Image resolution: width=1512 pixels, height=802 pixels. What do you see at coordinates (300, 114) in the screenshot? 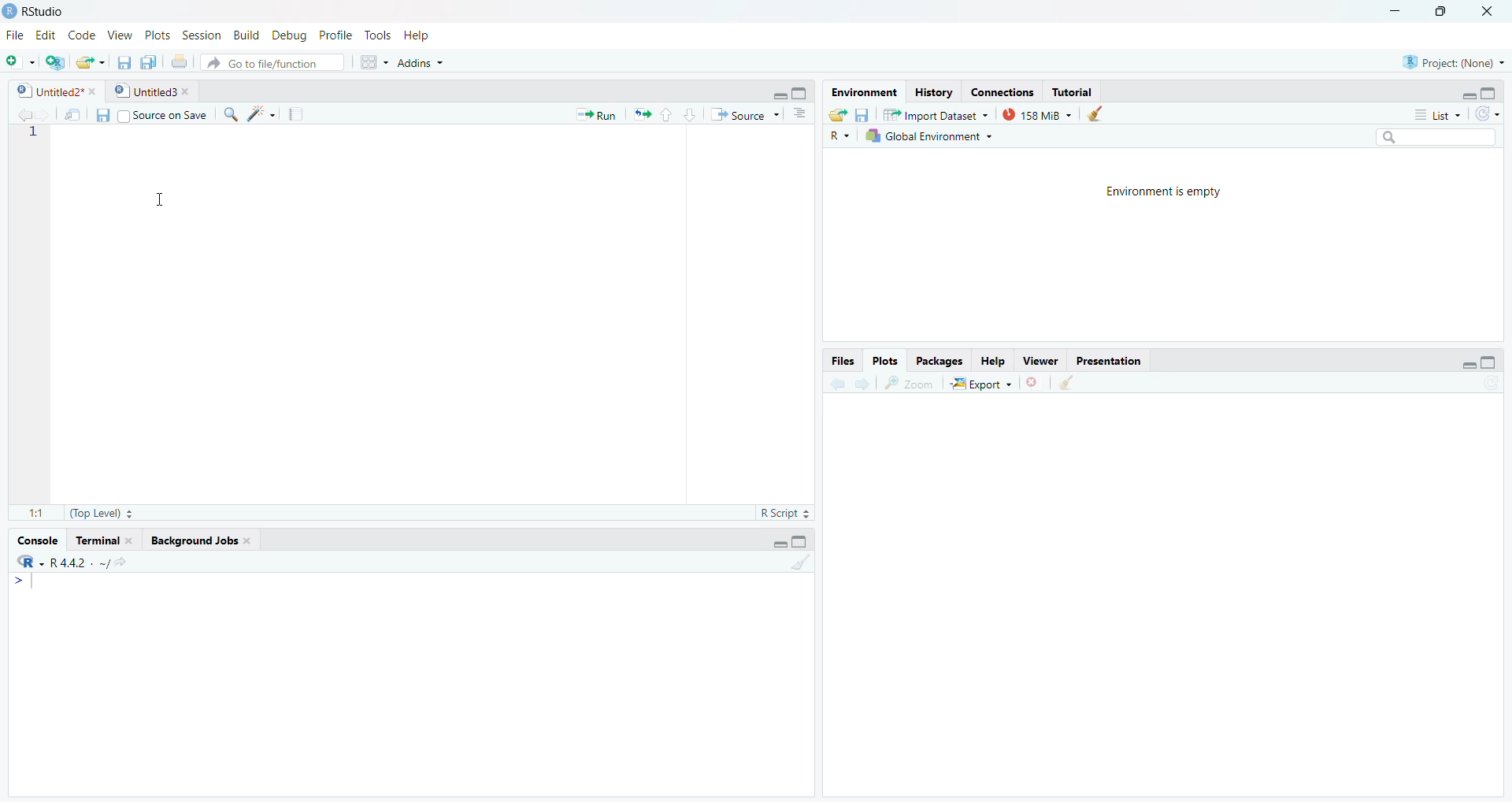
I see `Complie report` at bounding box center [300, 114].